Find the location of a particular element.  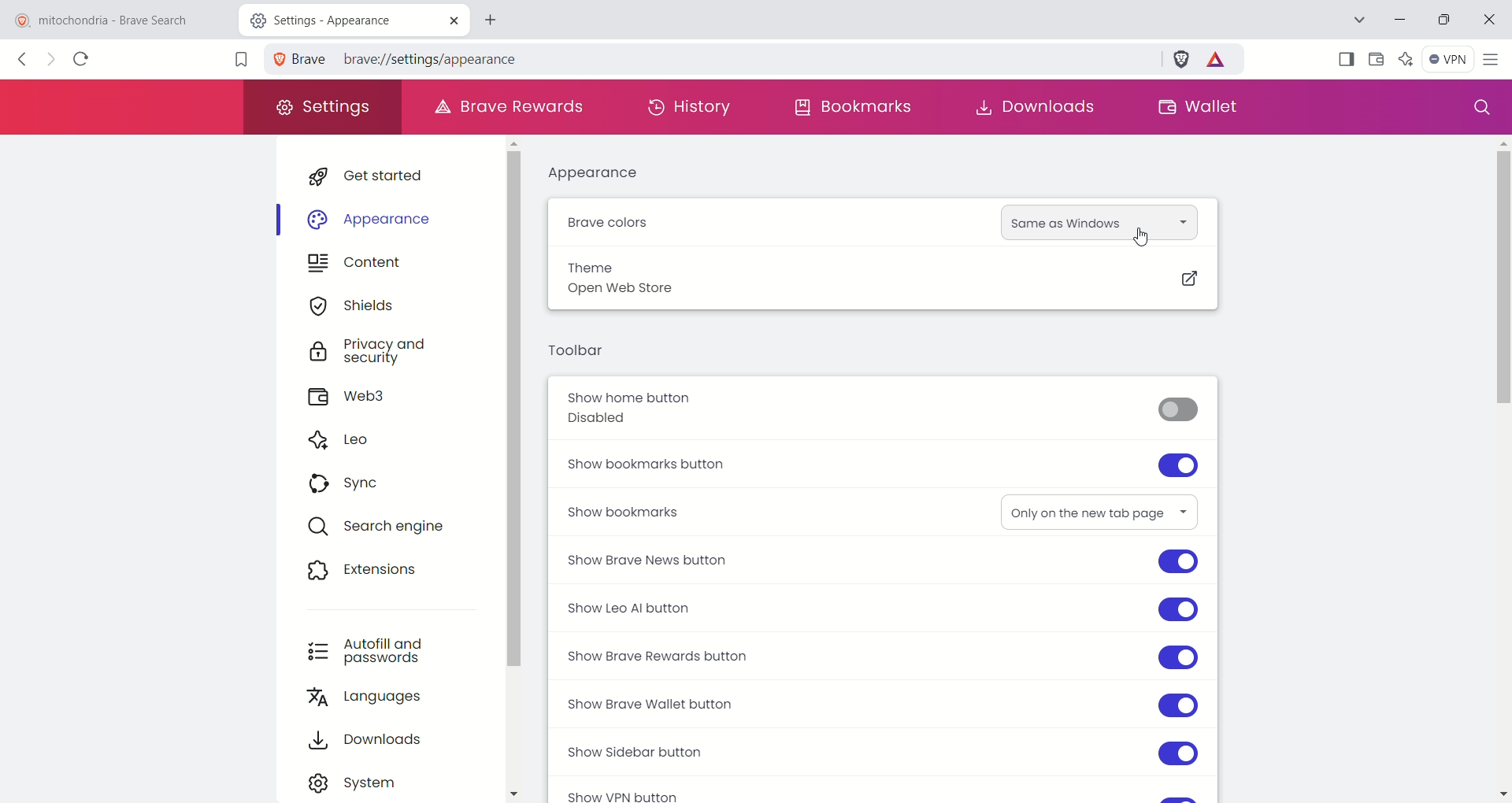

downloads is located at coordinates (1040, 105).